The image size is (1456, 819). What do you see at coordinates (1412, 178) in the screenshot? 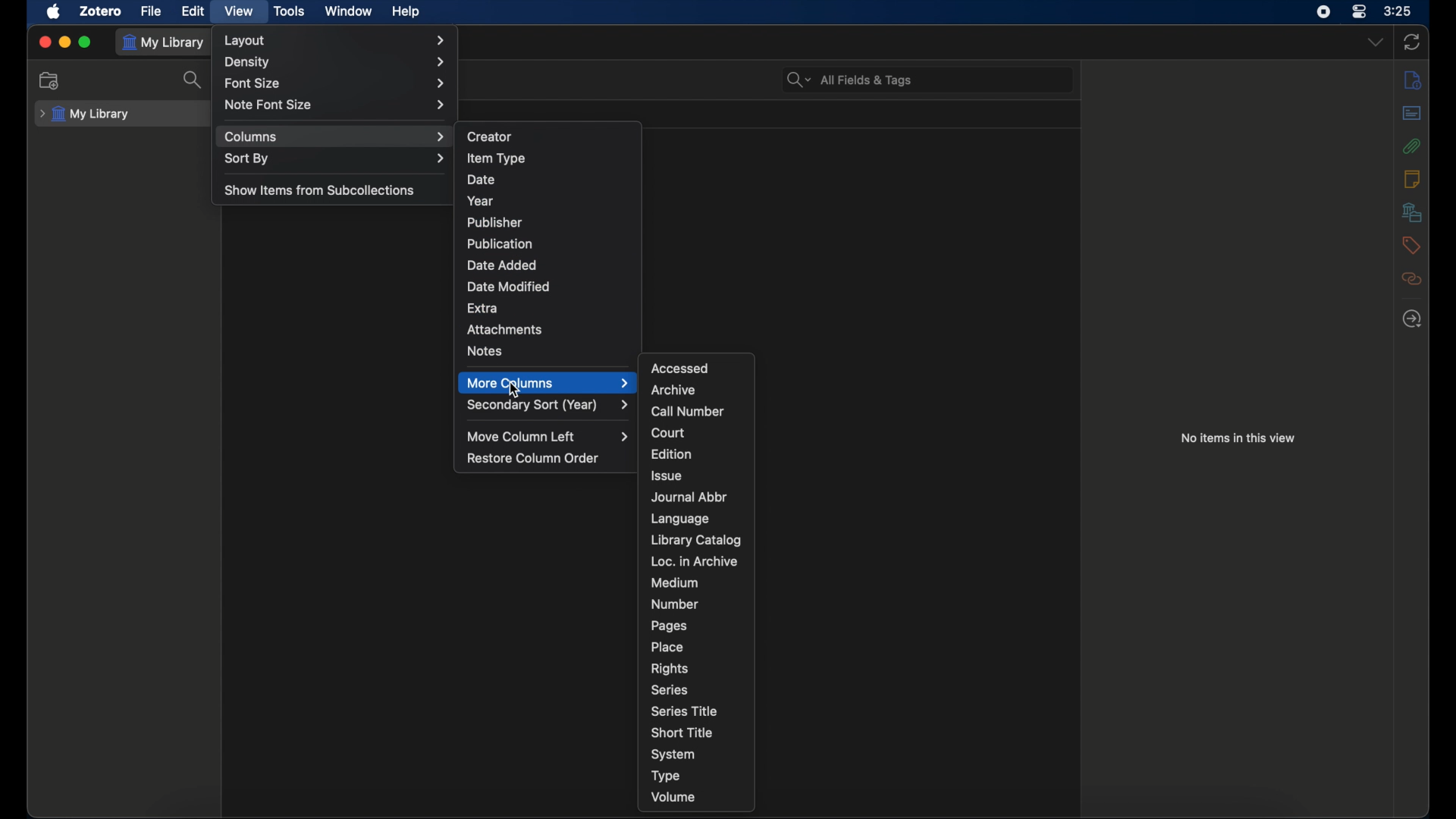
I see `notes` at bounding box center [1412, 178].